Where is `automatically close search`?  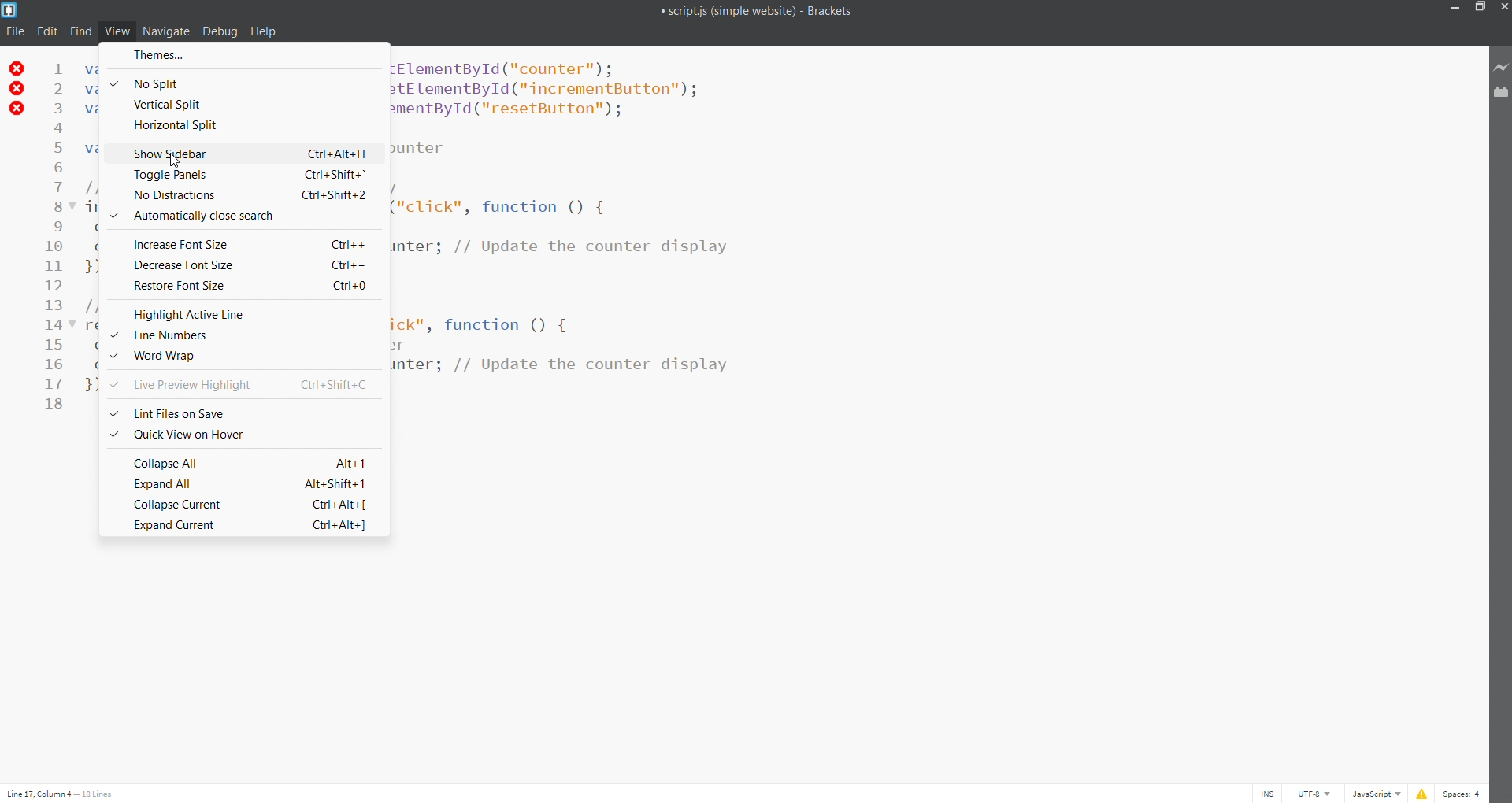 automatically close search is located at coordinates (243, 215).